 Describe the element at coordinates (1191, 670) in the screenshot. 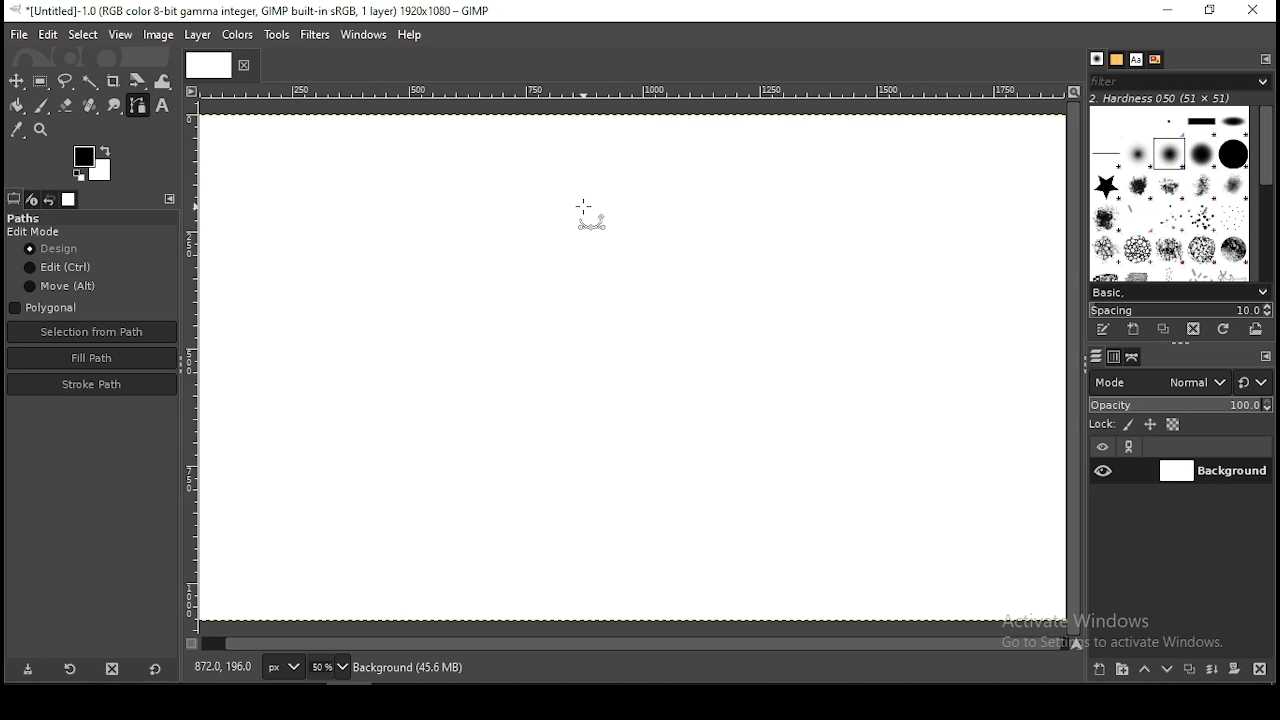

I see `duplicate layer` at that location.